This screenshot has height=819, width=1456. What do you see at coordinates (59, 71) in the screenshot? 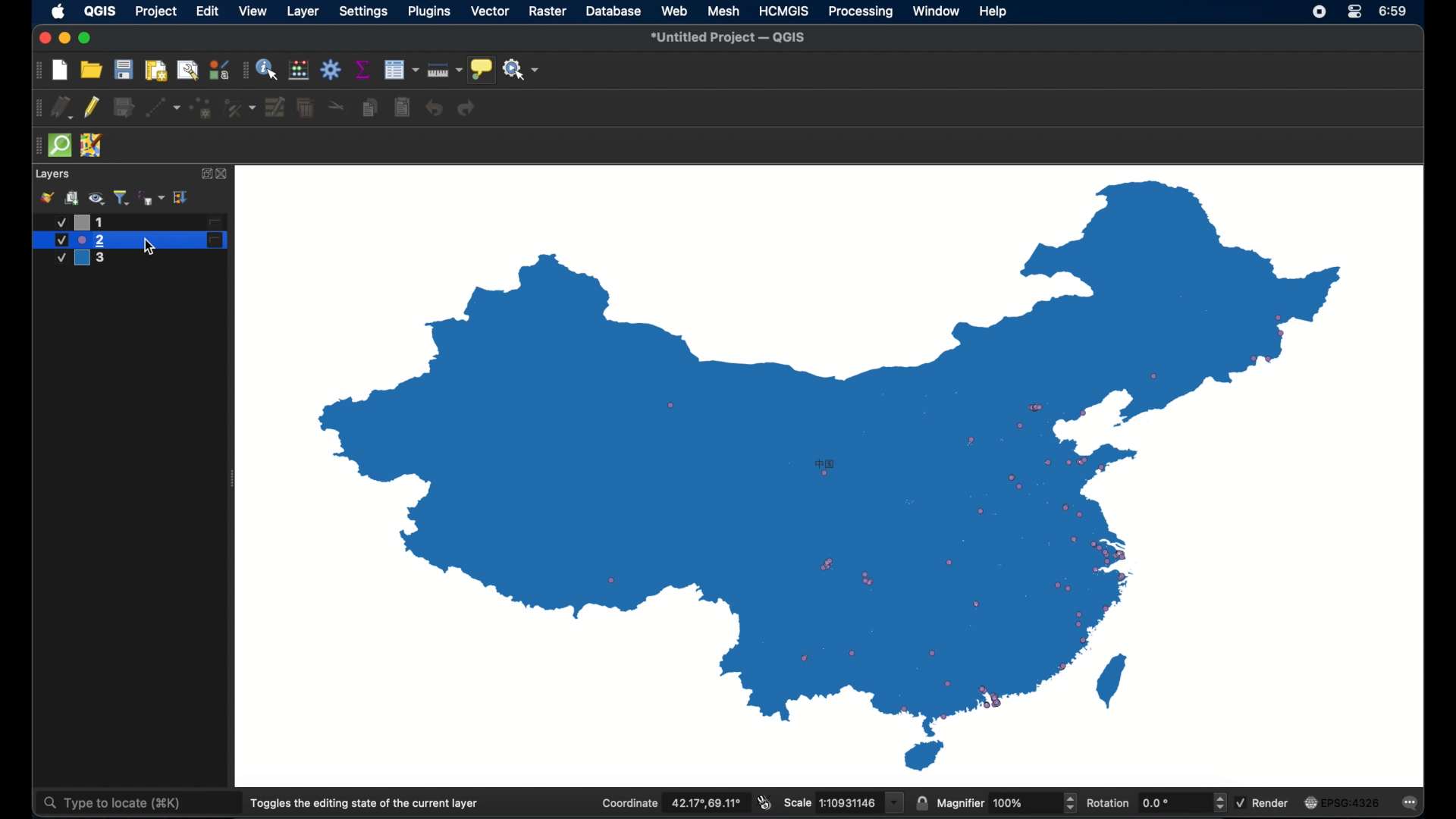
I see `new` at bounding box center [59, 71].